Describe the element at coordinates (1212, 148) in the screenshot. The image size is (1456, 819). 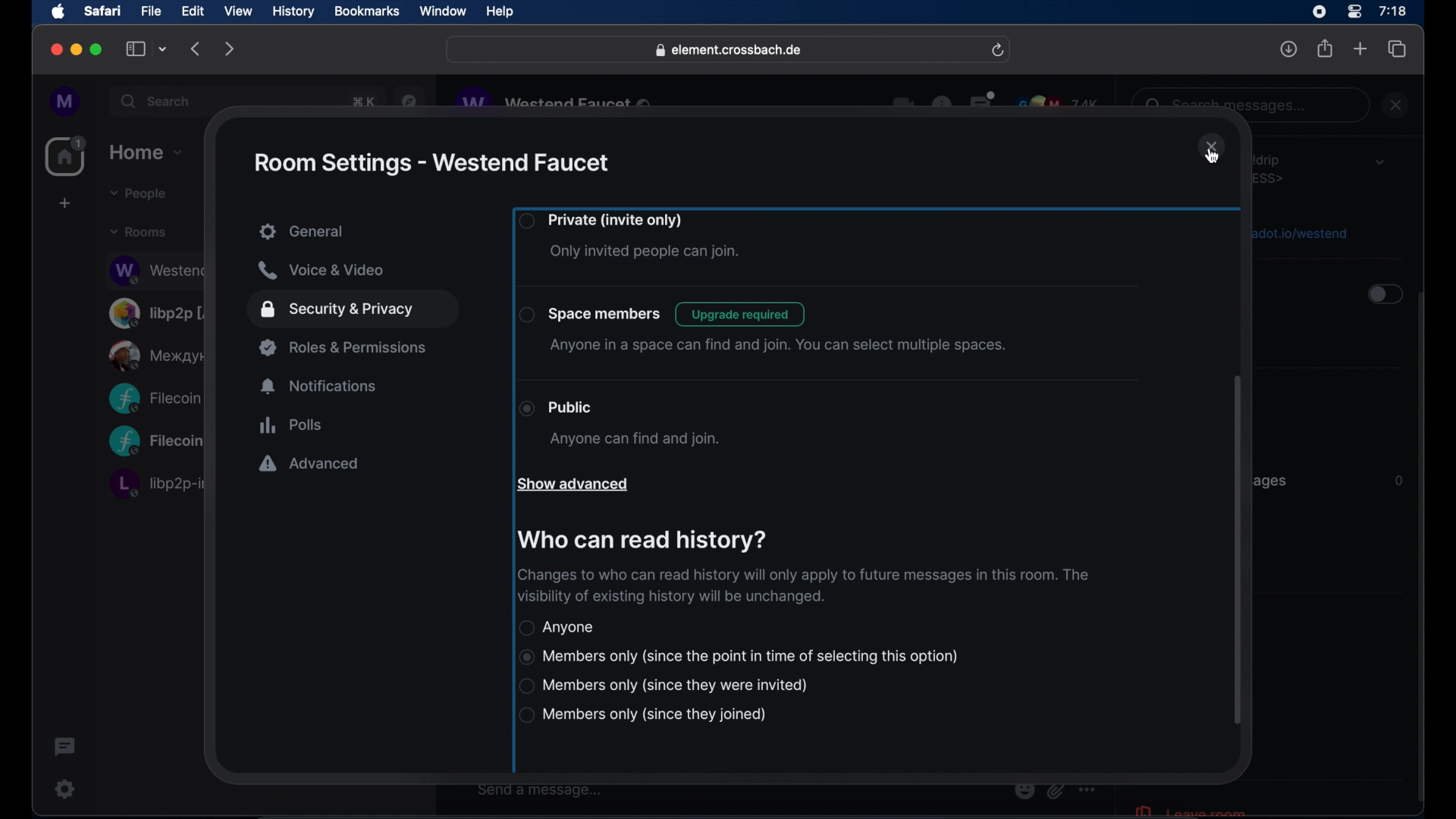
I see `close` at that location.